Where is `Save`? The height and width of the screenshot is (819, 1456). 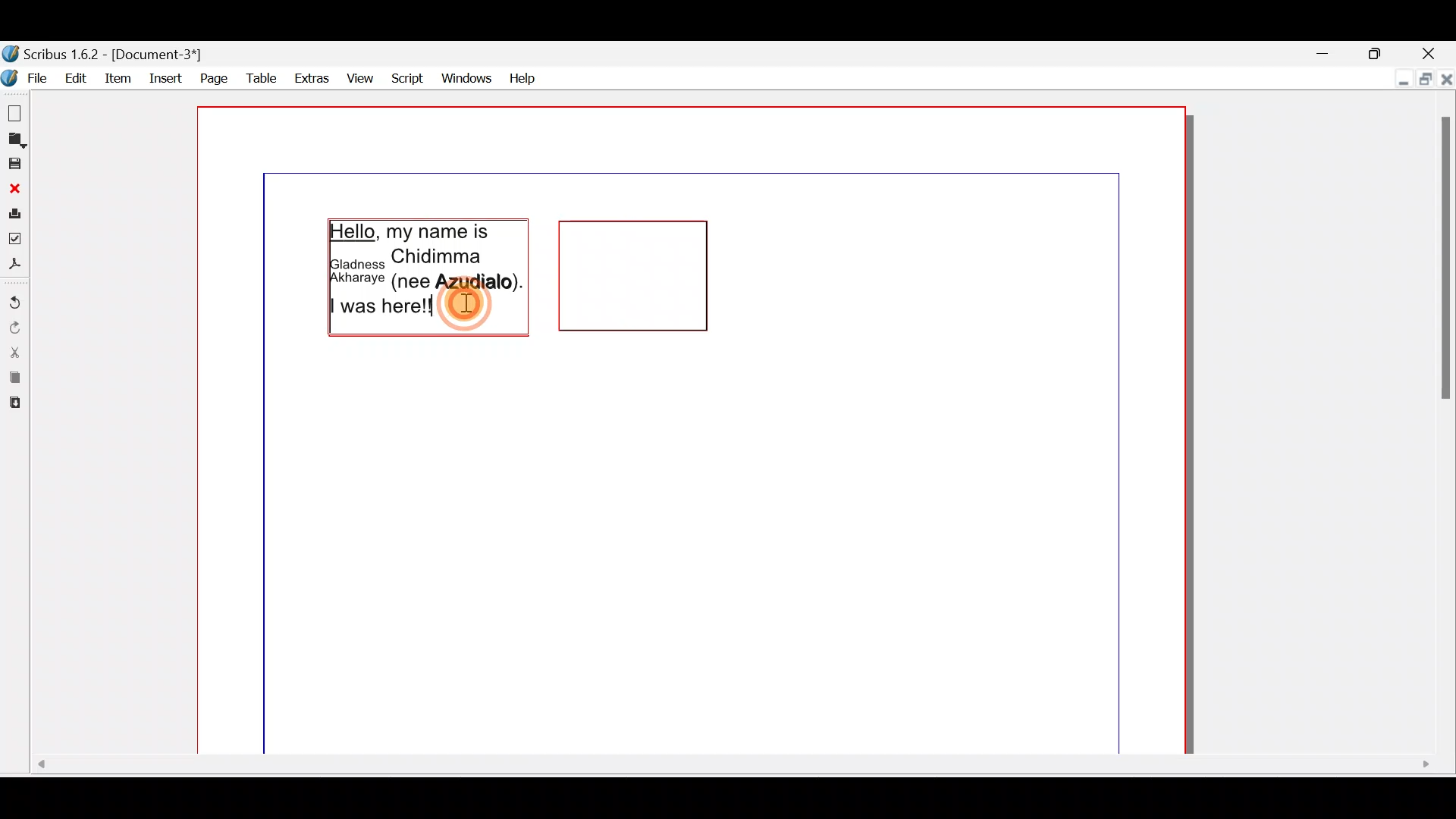
Save is located at coordinates (14, 163).